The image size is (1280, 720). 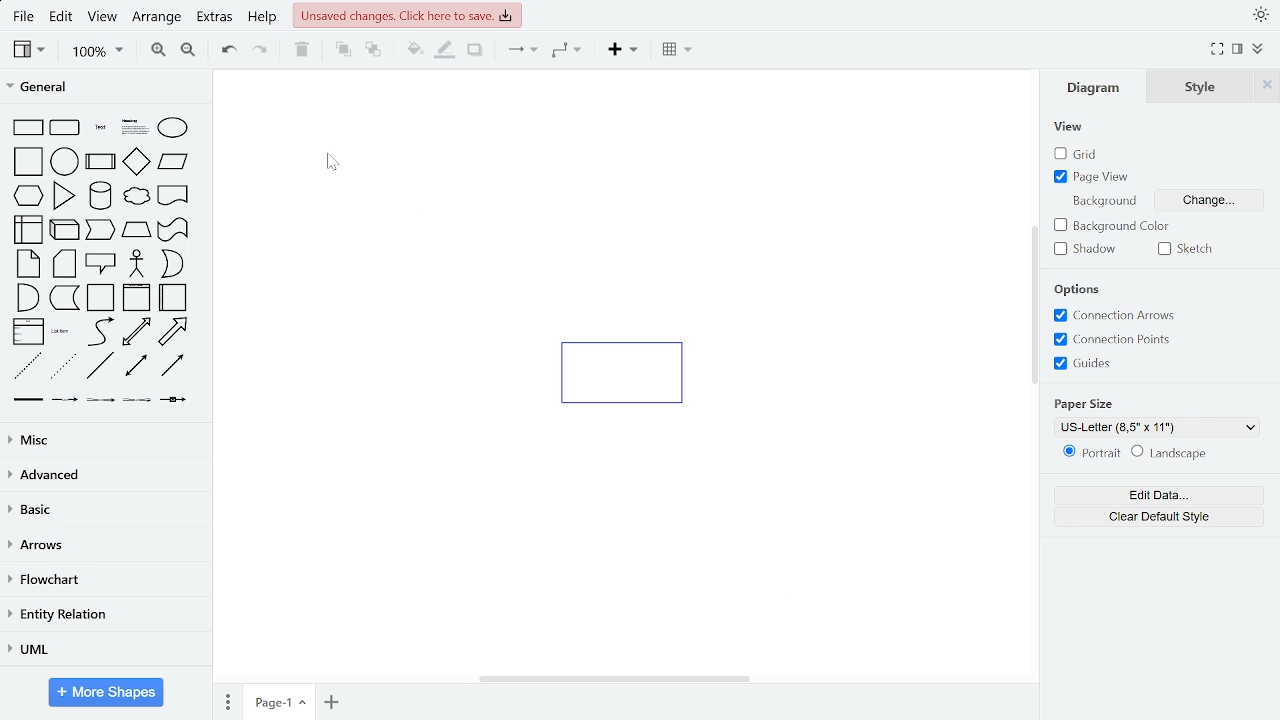 What do you see at coordinates (104, 259) in the screenshot?
I see `general shapes` at bounding box center [104, 259].